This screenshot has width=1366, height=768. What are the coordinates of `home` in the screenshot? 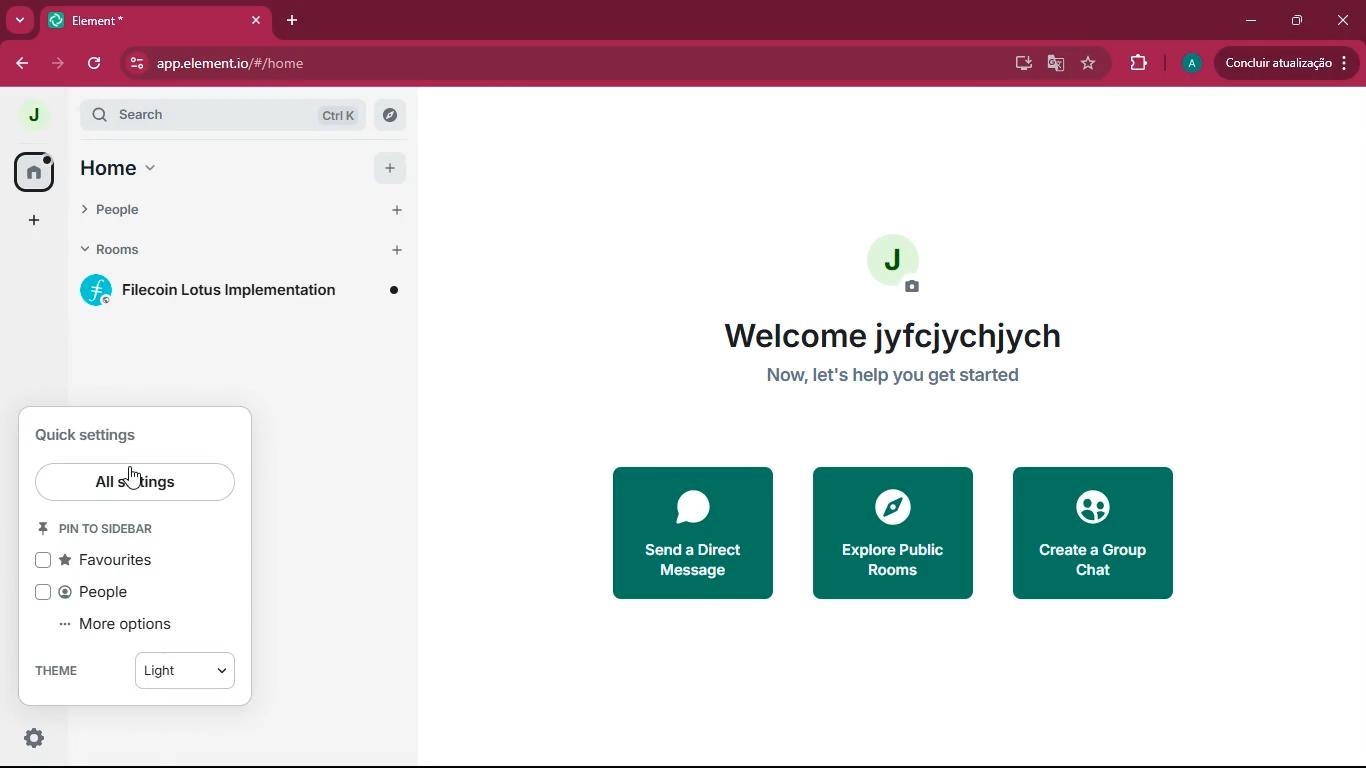 It's located at (241, 168).